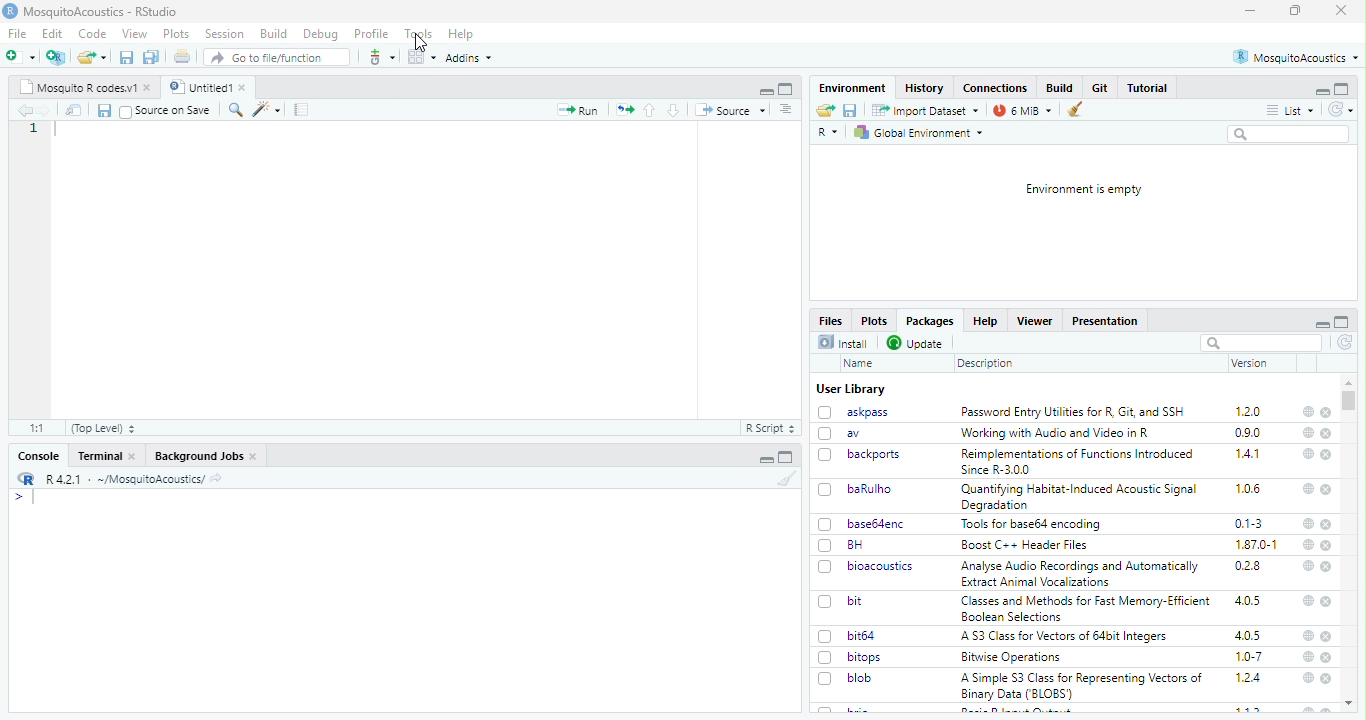 Image resolution: width=1366 pixels, height=720 pixels. What do you see at coordinates (133, 456) in the screenshot?
I see `close` at bounding box center [133, 456].